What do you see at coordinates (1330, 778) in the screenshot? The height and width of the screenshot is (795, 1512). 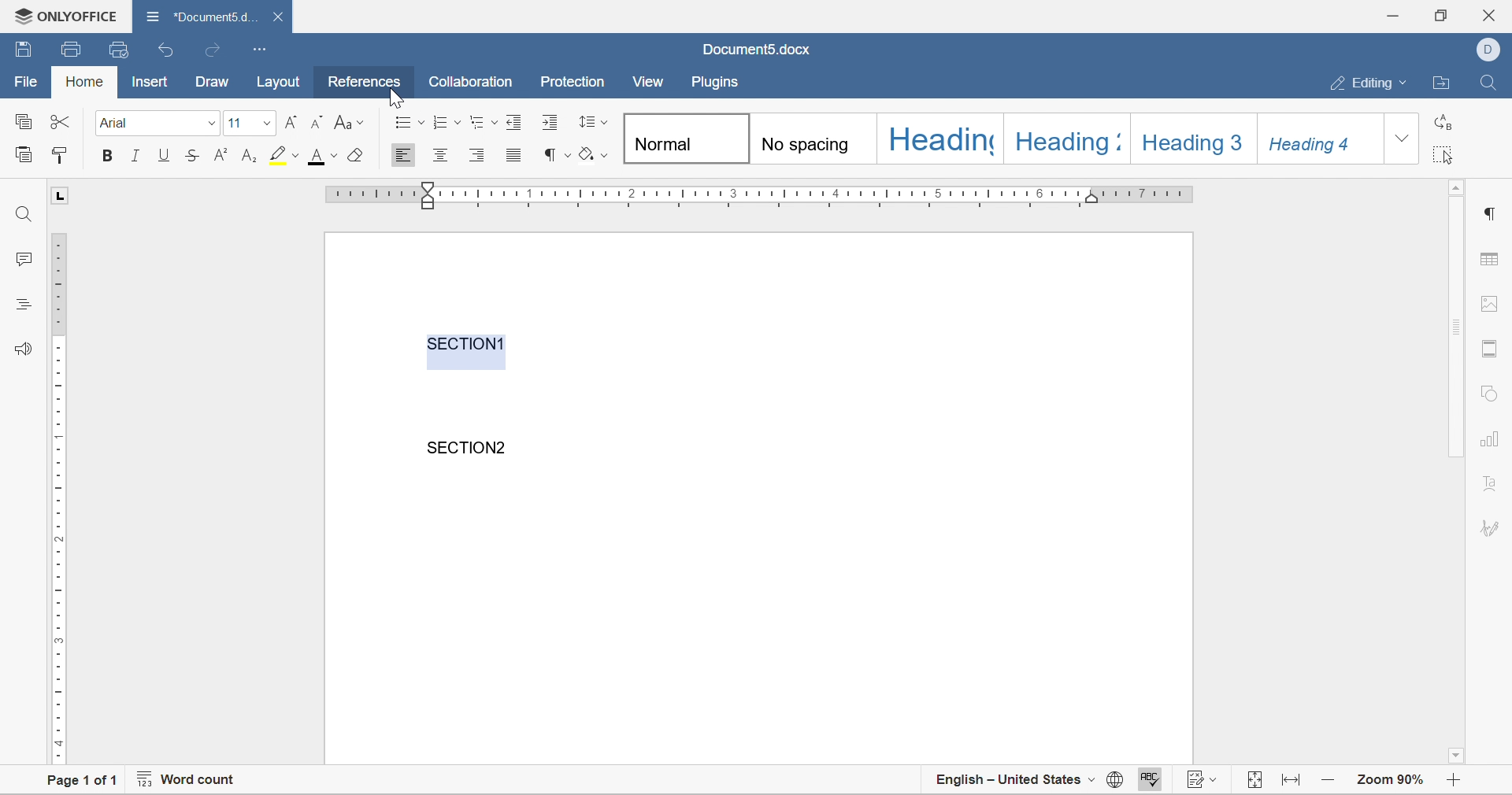 I see `zoom in` at bounding box center [1330, 778].